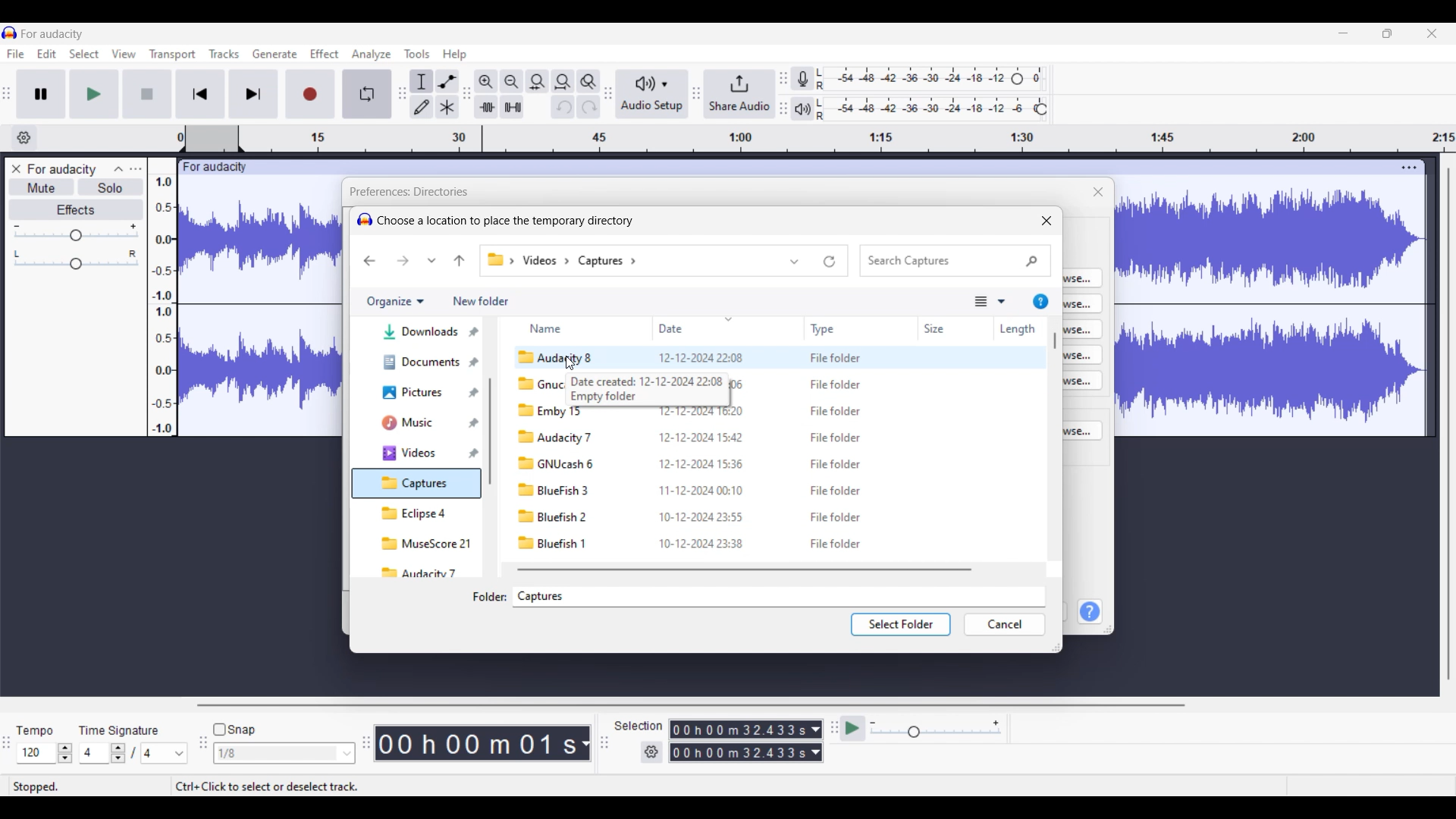 The image size is (1456, 819). Describe the element at coordinates (588, 106) in the screenshot. I see `Redo` at that location.